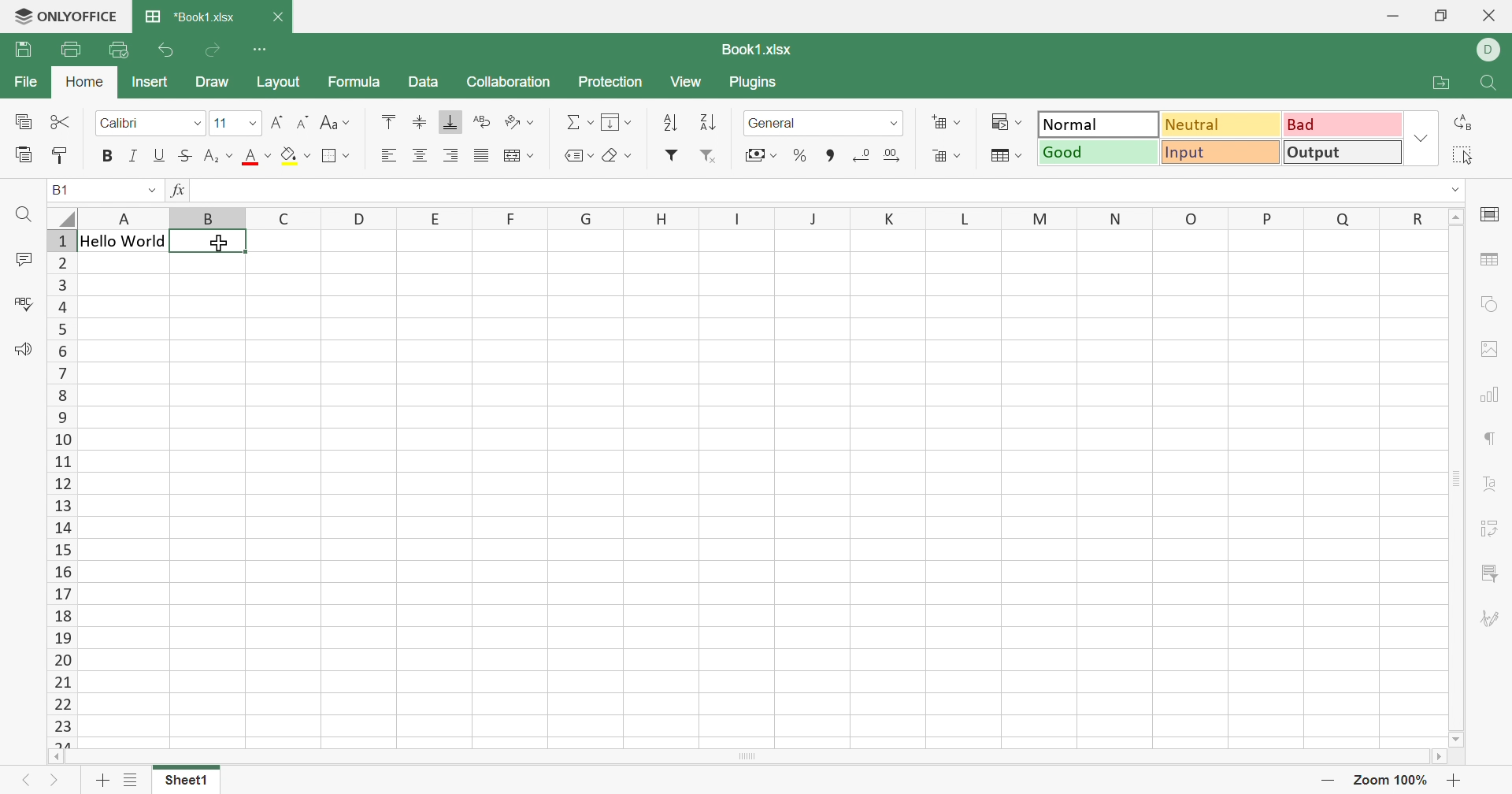 The image size is (1512, 794). What do you see at coordinates (352, 83) in the screenshot?
I see `Formula` at bounding box center [352, 83].